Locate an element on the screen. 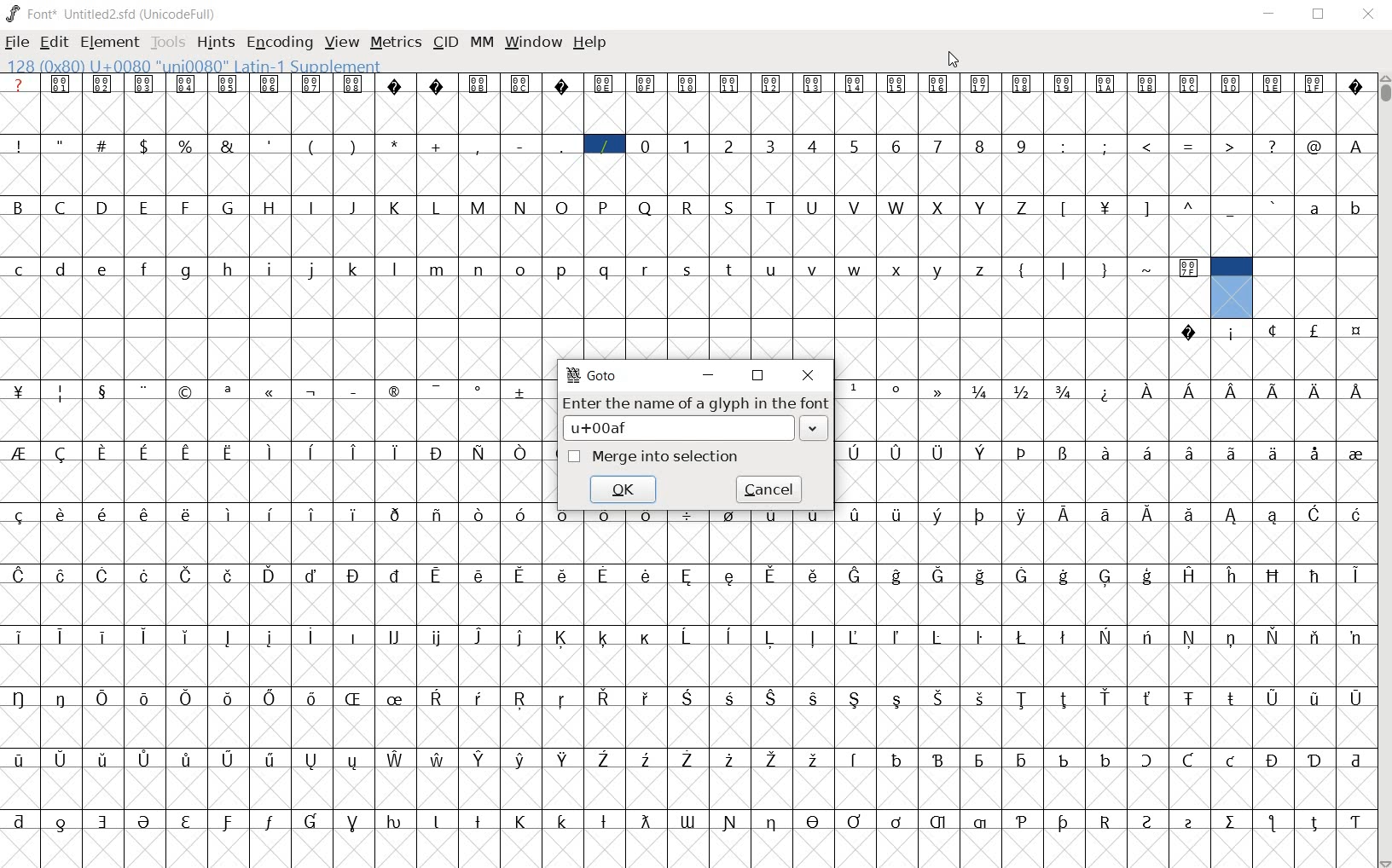 This screenshot has width=1392, height=868. Symbol is located at coordinates (690, 697).